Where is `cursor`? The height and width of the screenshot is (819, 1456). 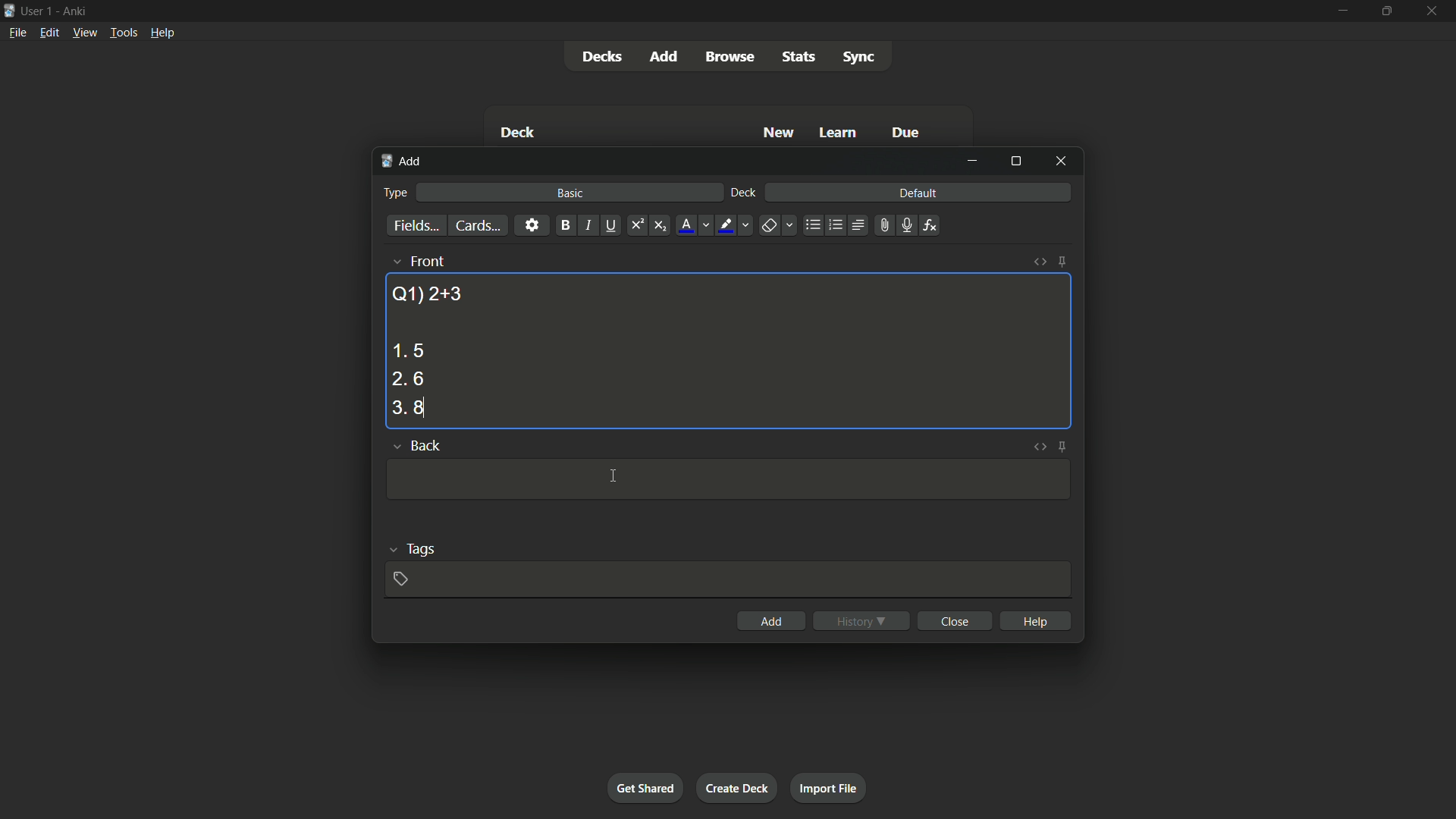
cursor is located at coordinates (616, 475).